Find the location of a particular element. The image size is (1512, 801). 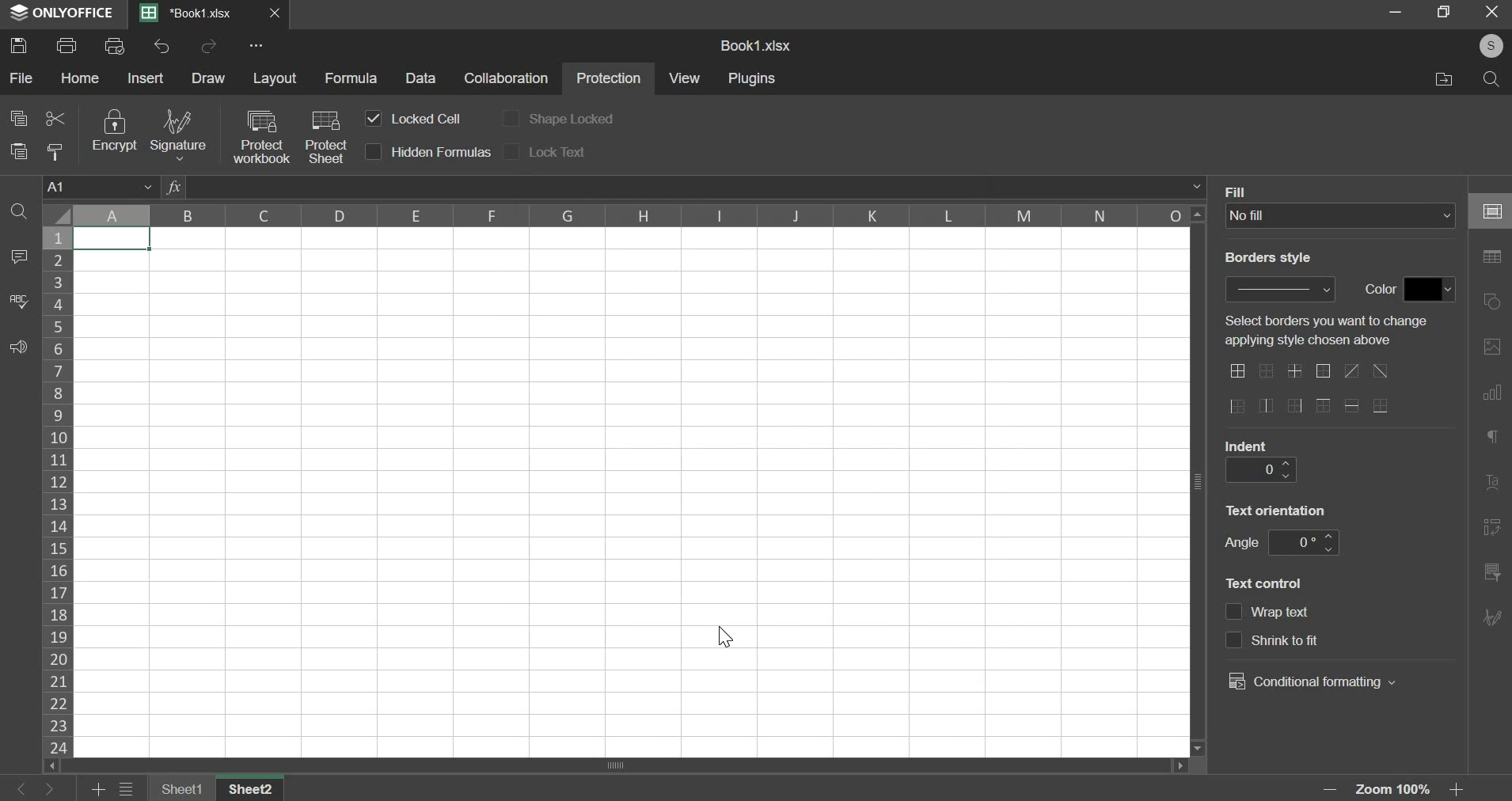

Cursor is located at coordinates (726, 639).